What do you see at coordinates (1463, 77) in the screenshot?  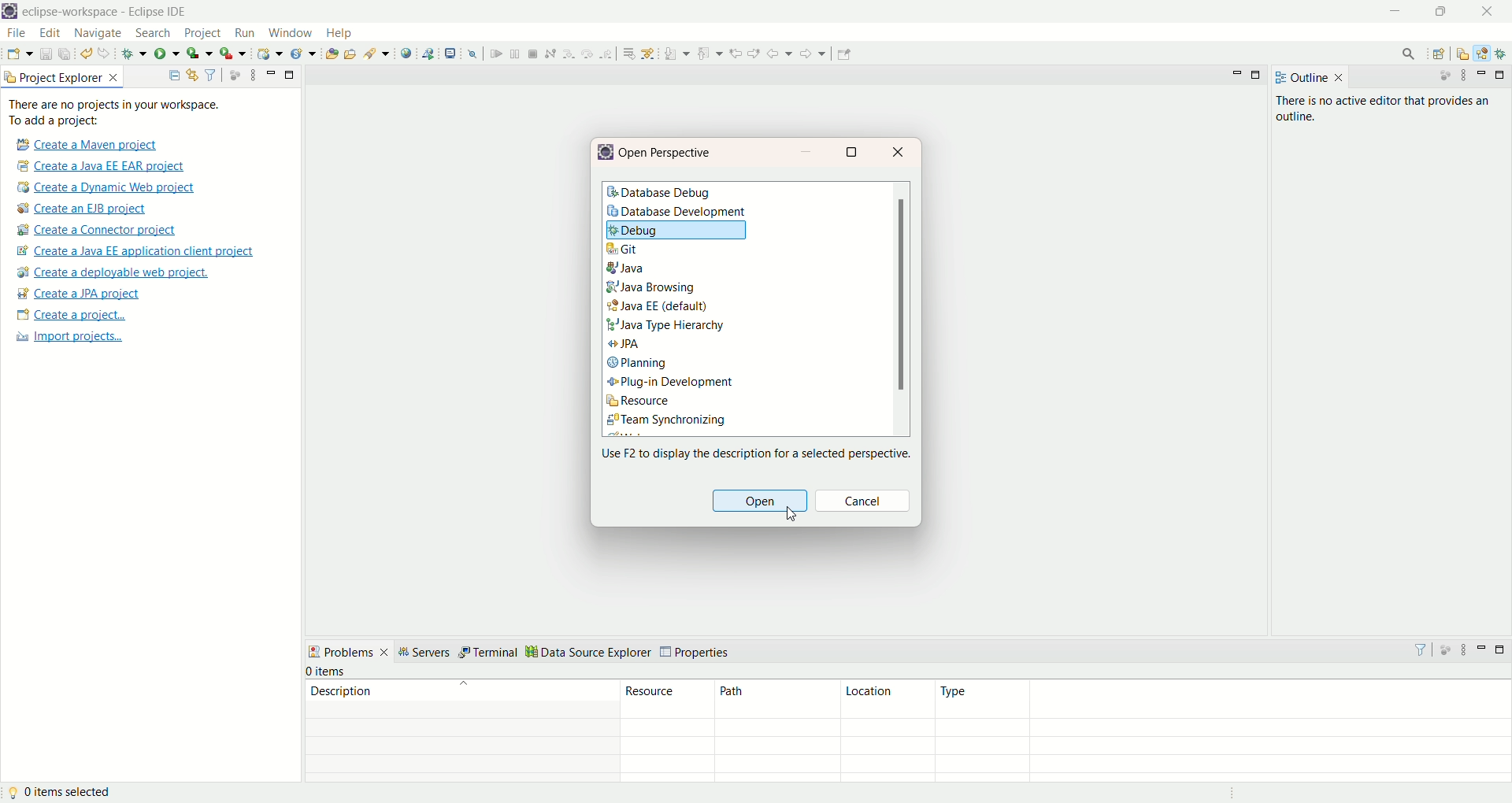 I see `view menu` at bounding box center [1463, 77].